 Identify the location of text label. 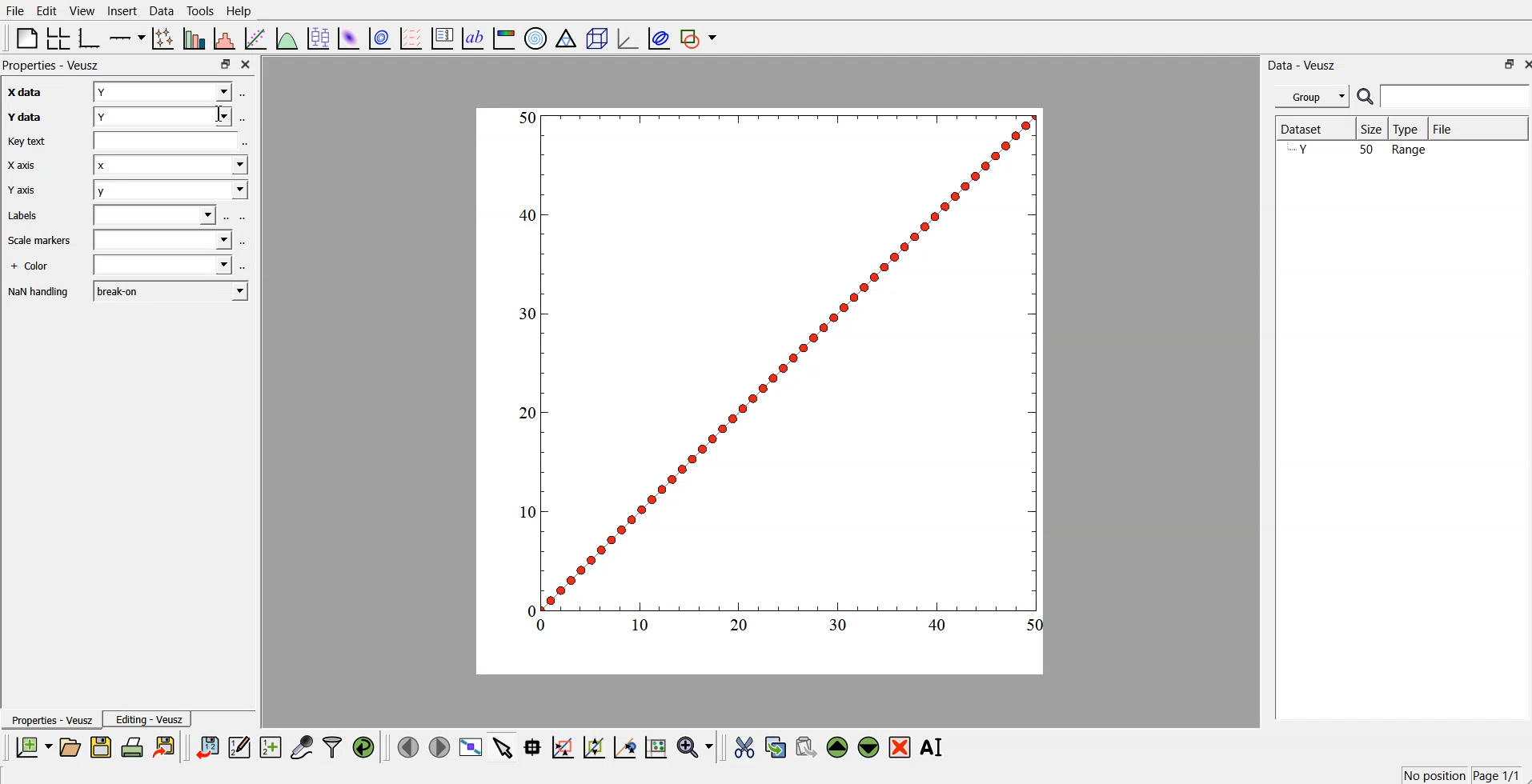
(473, 37).